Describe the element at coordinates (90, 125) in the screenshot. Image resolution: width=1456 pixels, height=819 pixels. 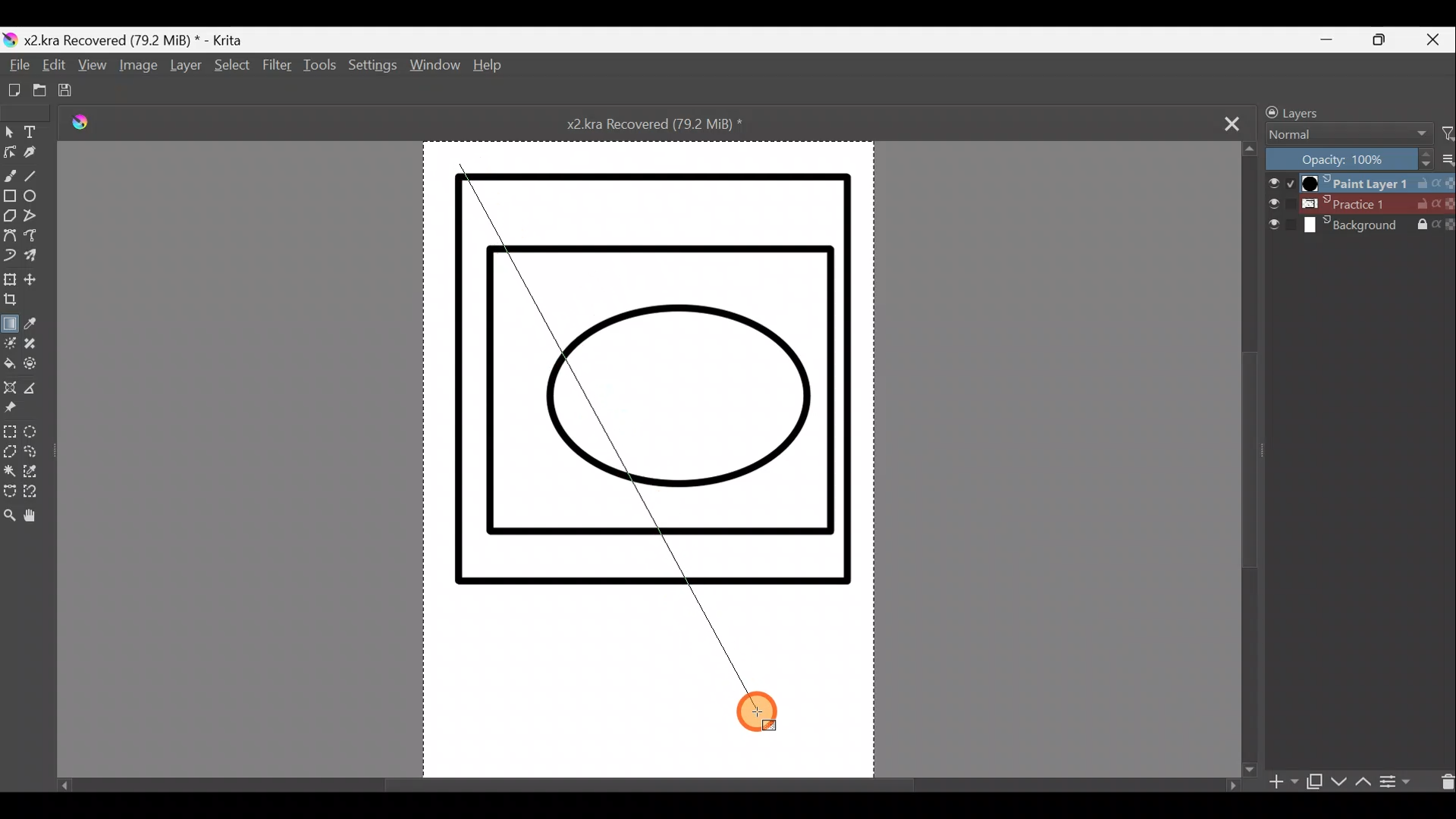
I see `Krita logo` at that location.